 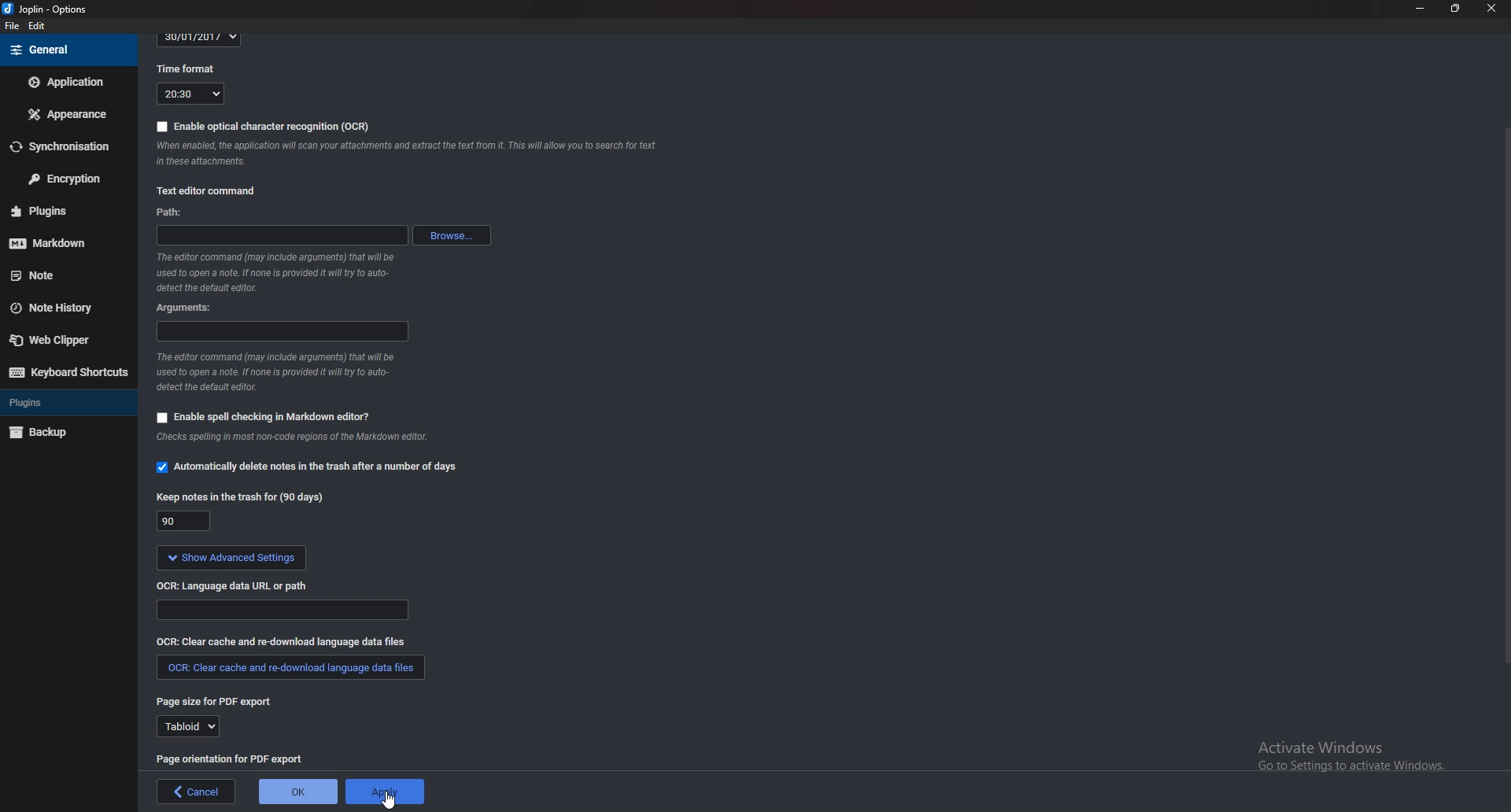 What do you see at coordinates (37, 27) in the screenshot?
I see `edit` at bounding box center [37, 27].